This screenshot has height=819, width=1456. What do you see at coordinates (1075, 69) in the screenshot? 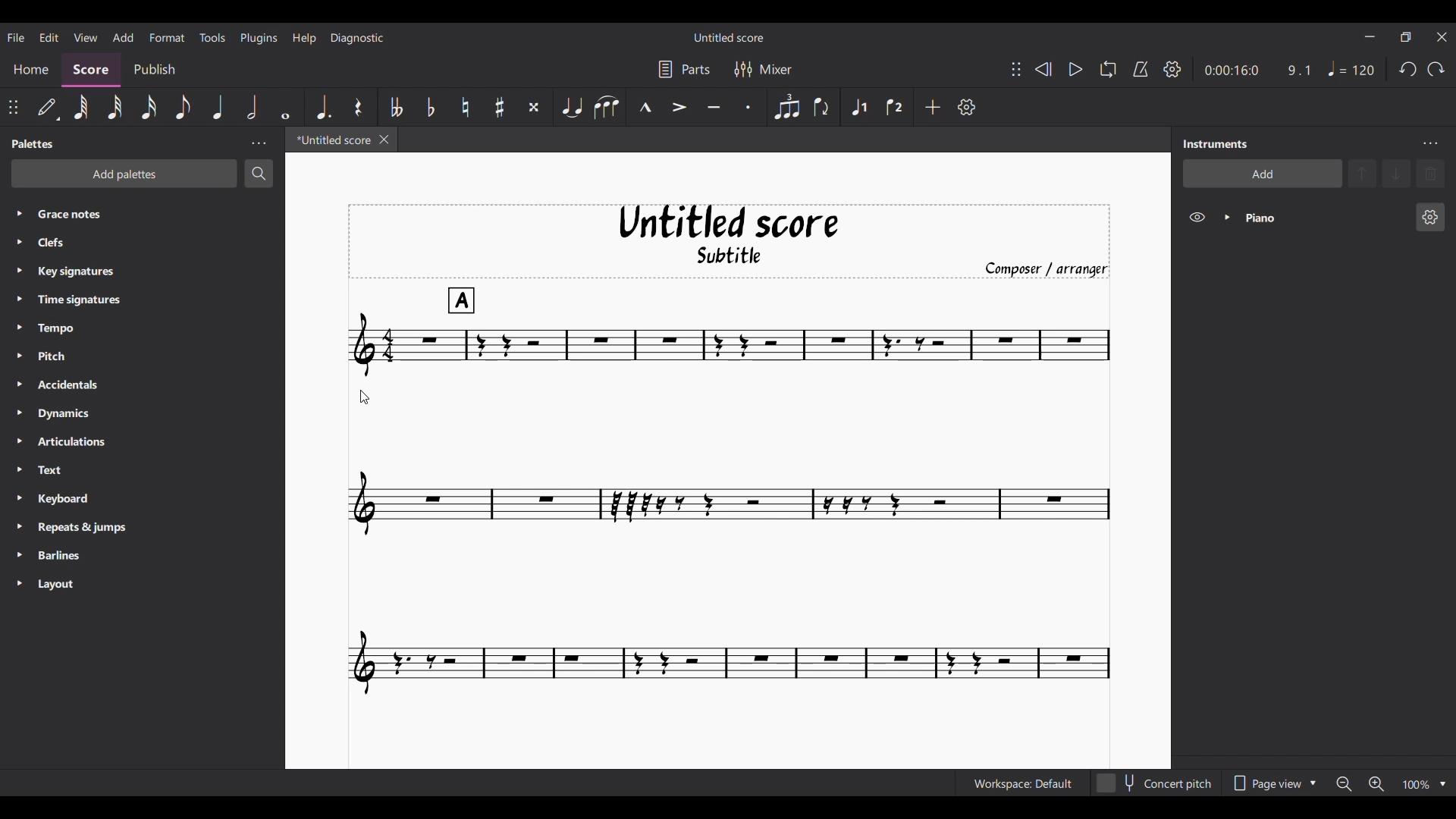
I see `Play` at bounding box center [1075, 69].